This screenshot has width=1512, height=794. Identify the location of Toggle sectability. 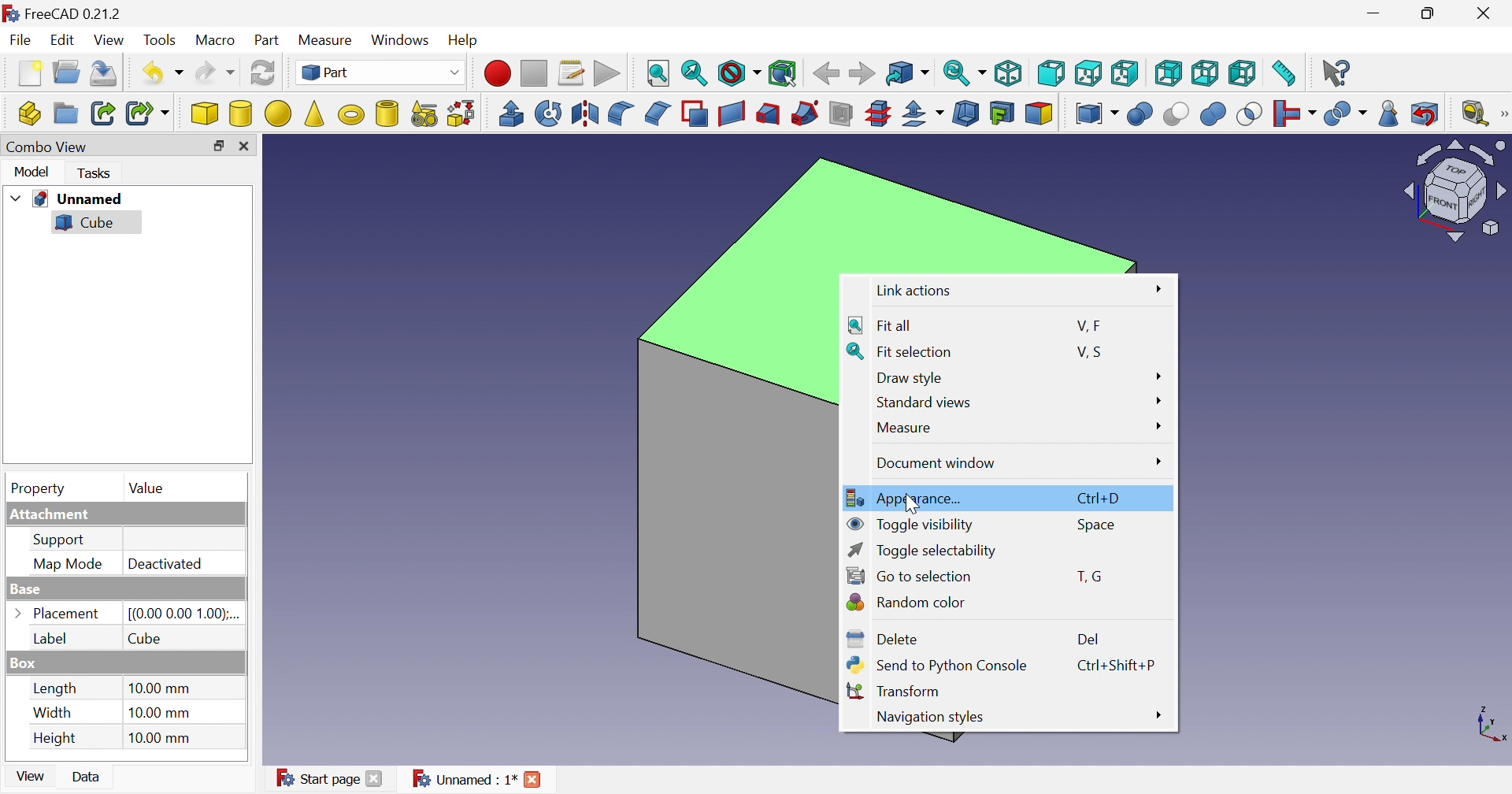
(924, 551).